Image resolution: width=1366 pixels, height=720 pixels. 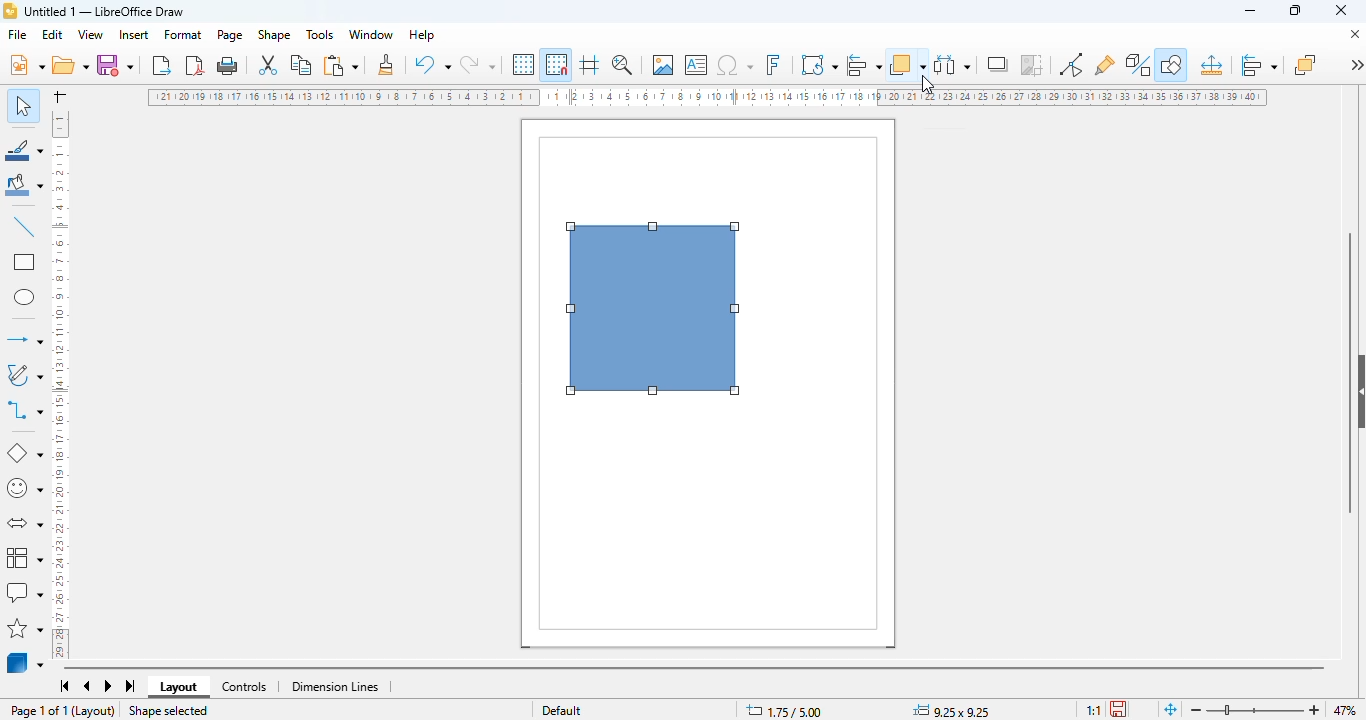 What do you see at coordinates (1305, 64) in the screenshot?
I see `bring to front` at bounding box center [1305, 64].